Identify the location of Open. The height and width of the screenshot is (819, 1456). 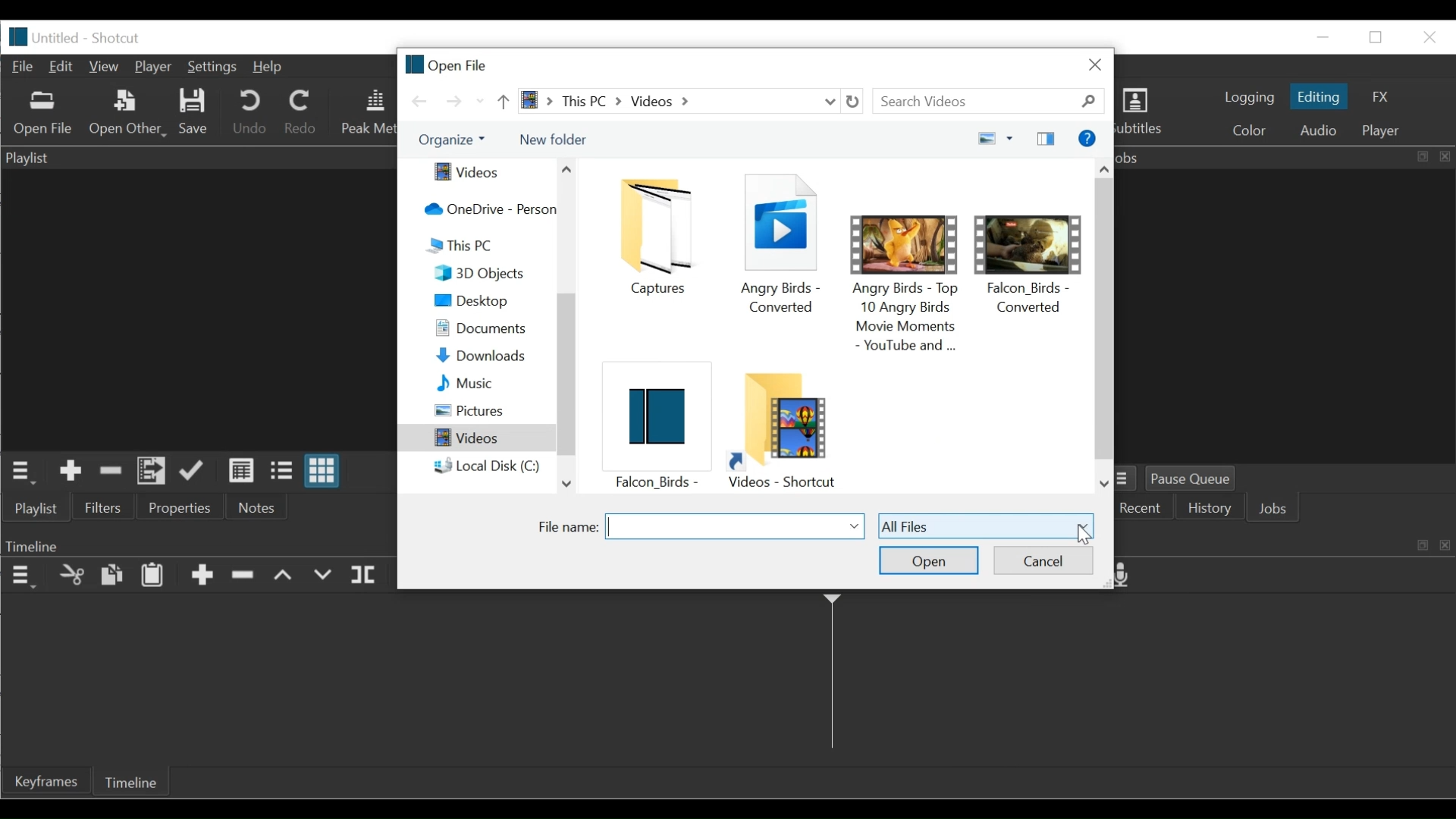
(930, 560).